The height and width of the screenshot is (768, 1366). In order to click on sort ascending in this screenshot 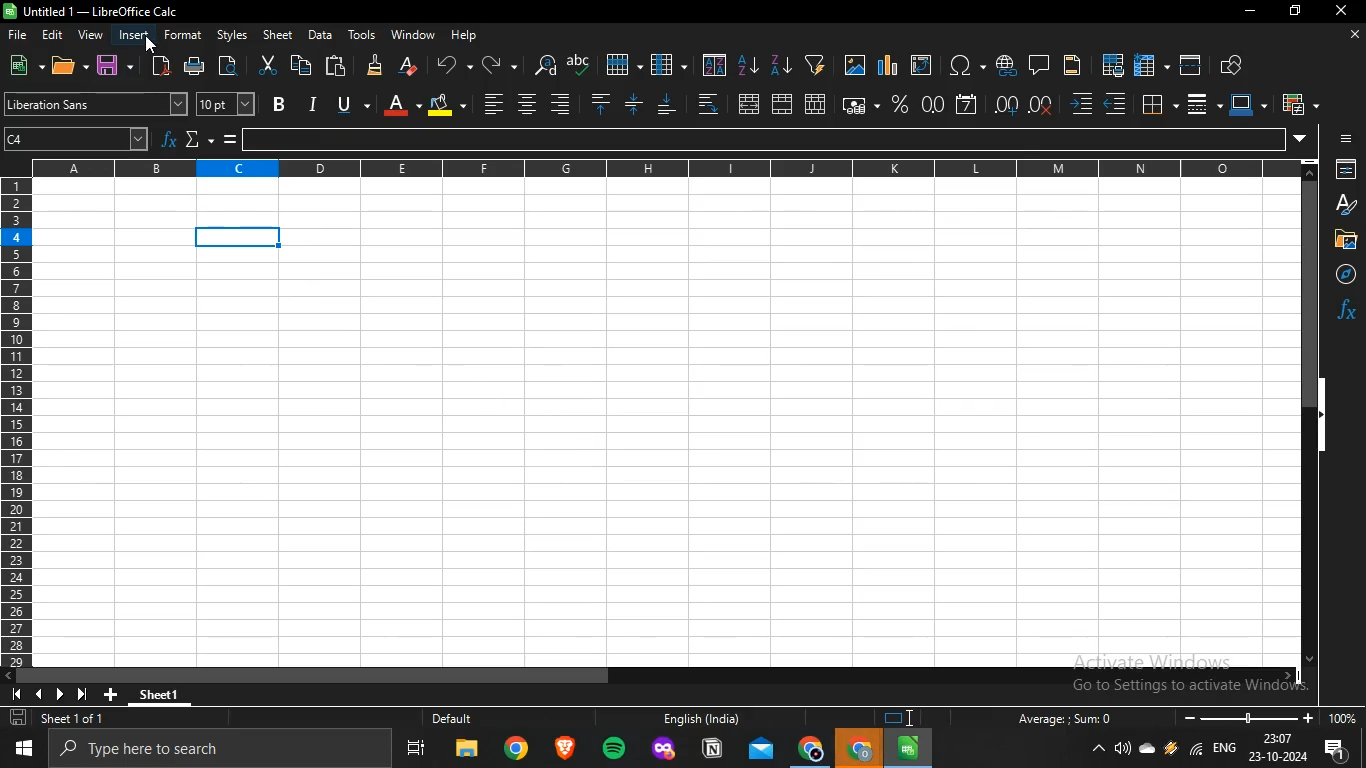, I will do `click(749, 64)`.